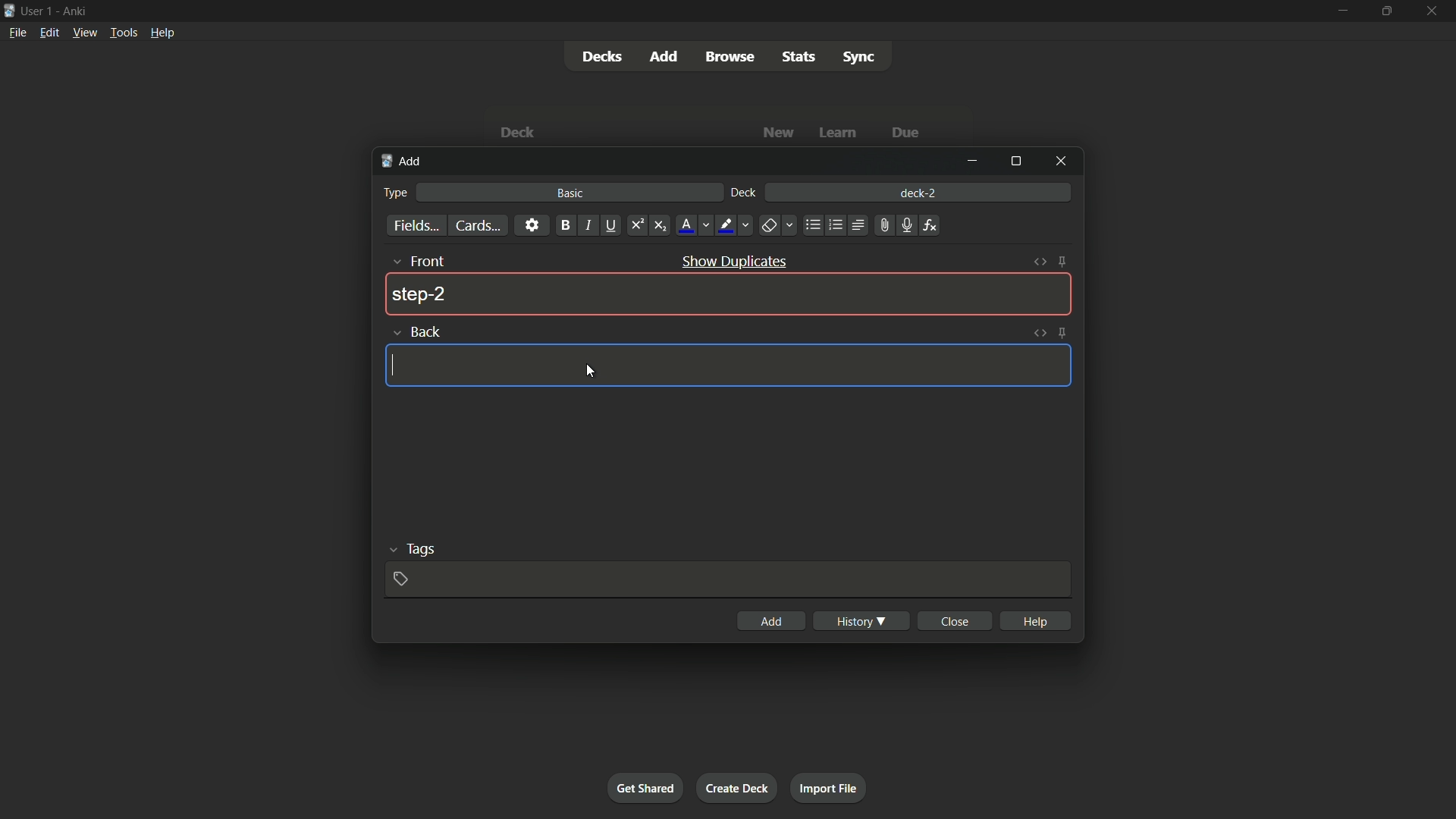 This screenshot has width=1456, height=819. What do you see at coordinates (647, 788) in the screenshot?
I see `get shared` at bounding box center [647, 788].